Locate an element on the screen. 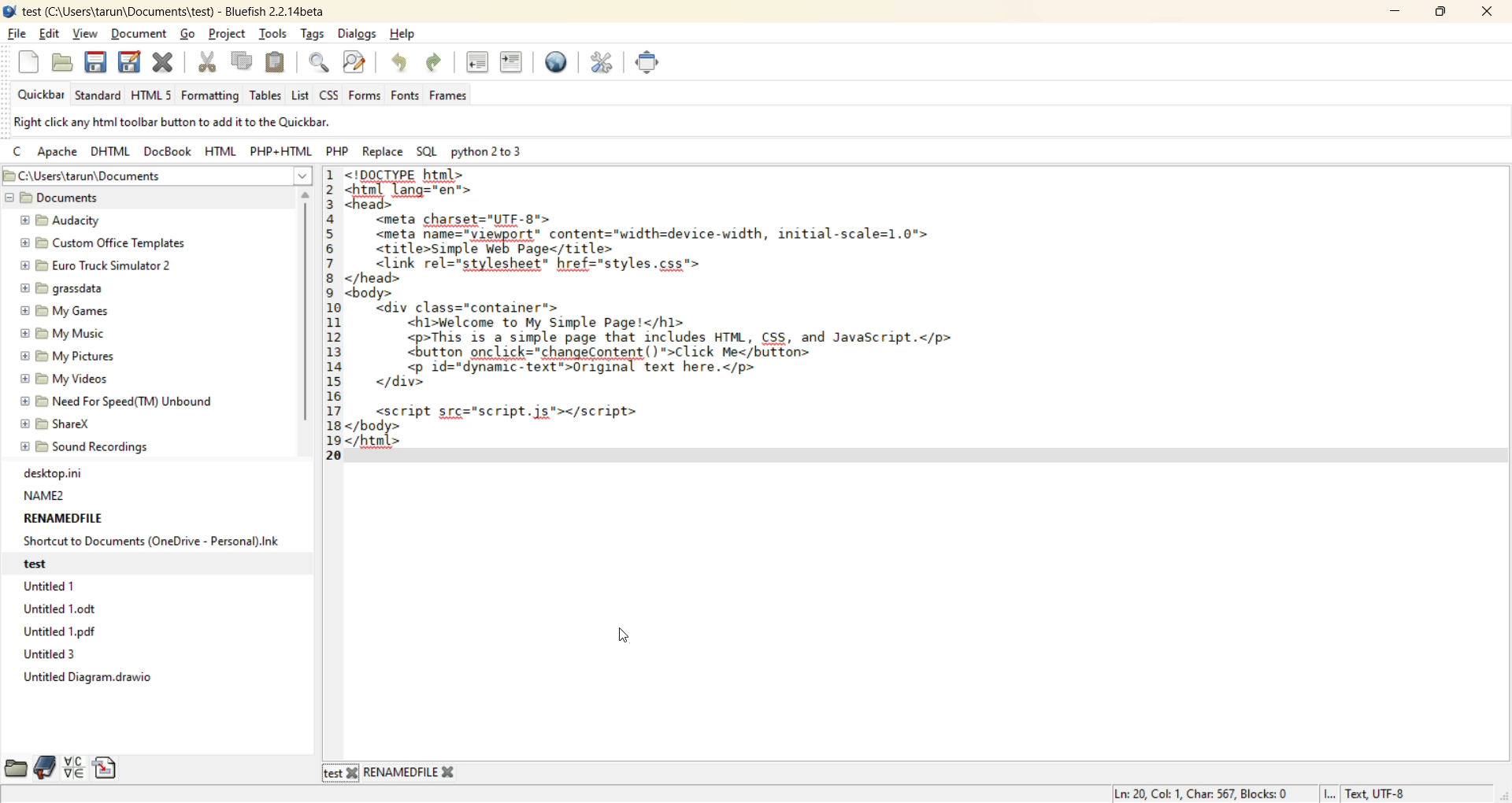 The height and width of the screenshot is (803, 1512). close file is located at coordinates (165, 63).